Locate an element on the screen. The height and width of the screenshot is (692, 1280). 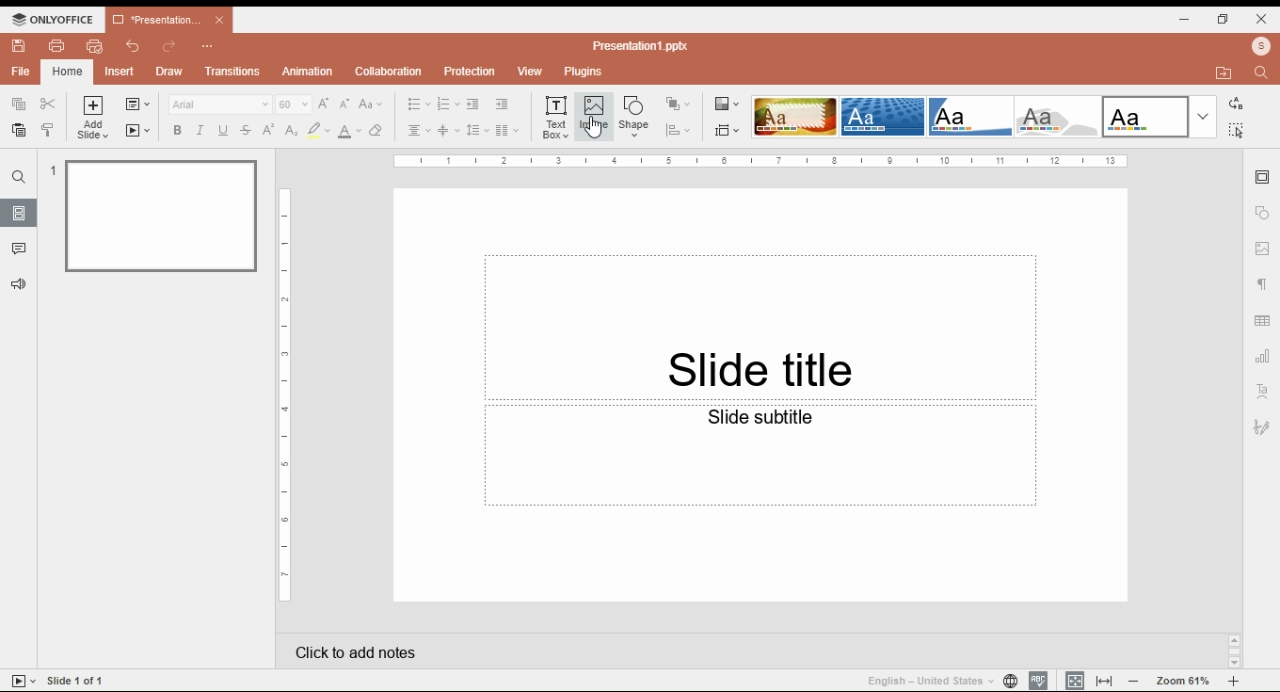
font is located at coordinates (220, 105).